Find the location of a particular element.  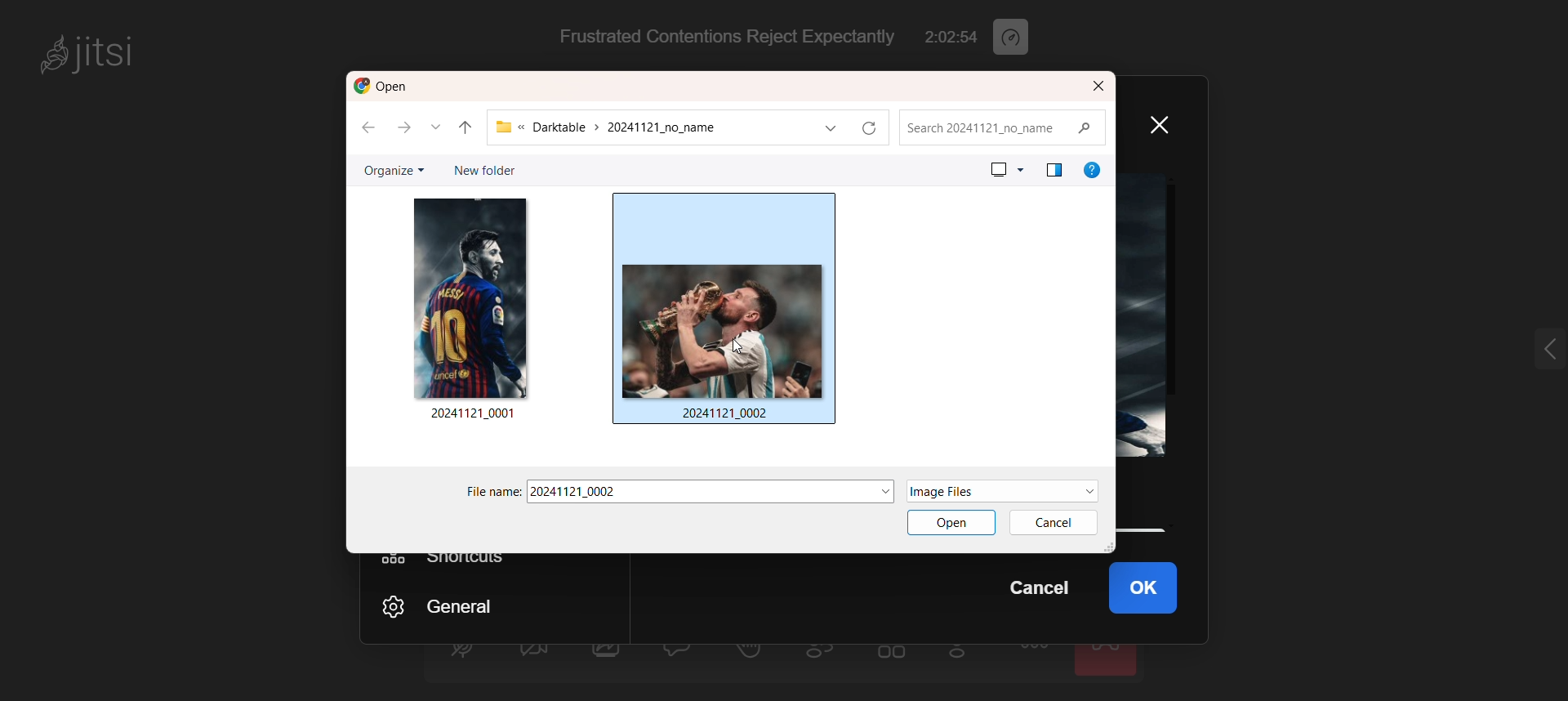

shortcut is located at coordinates (448, 560).